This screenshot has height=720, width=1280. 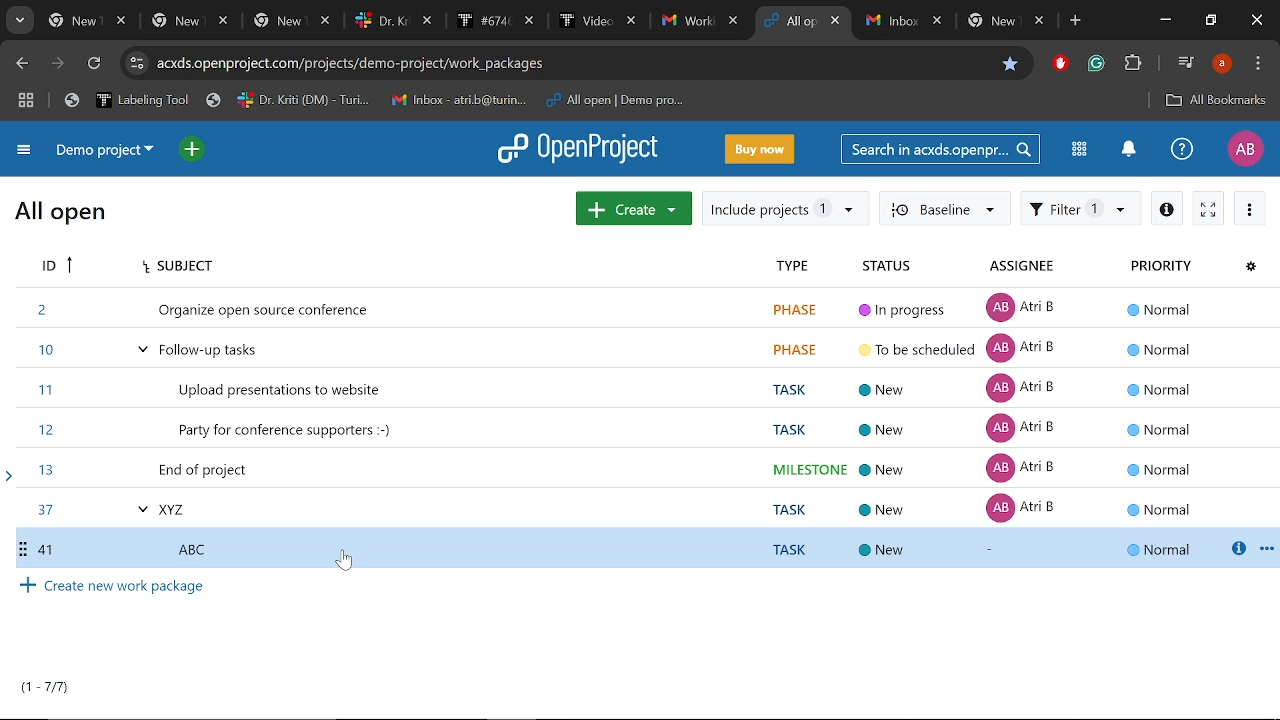 What do you see at coordinates (190, 149) in the screenshot?
I see `Open quick add menu` at bounding box center [190, 149].